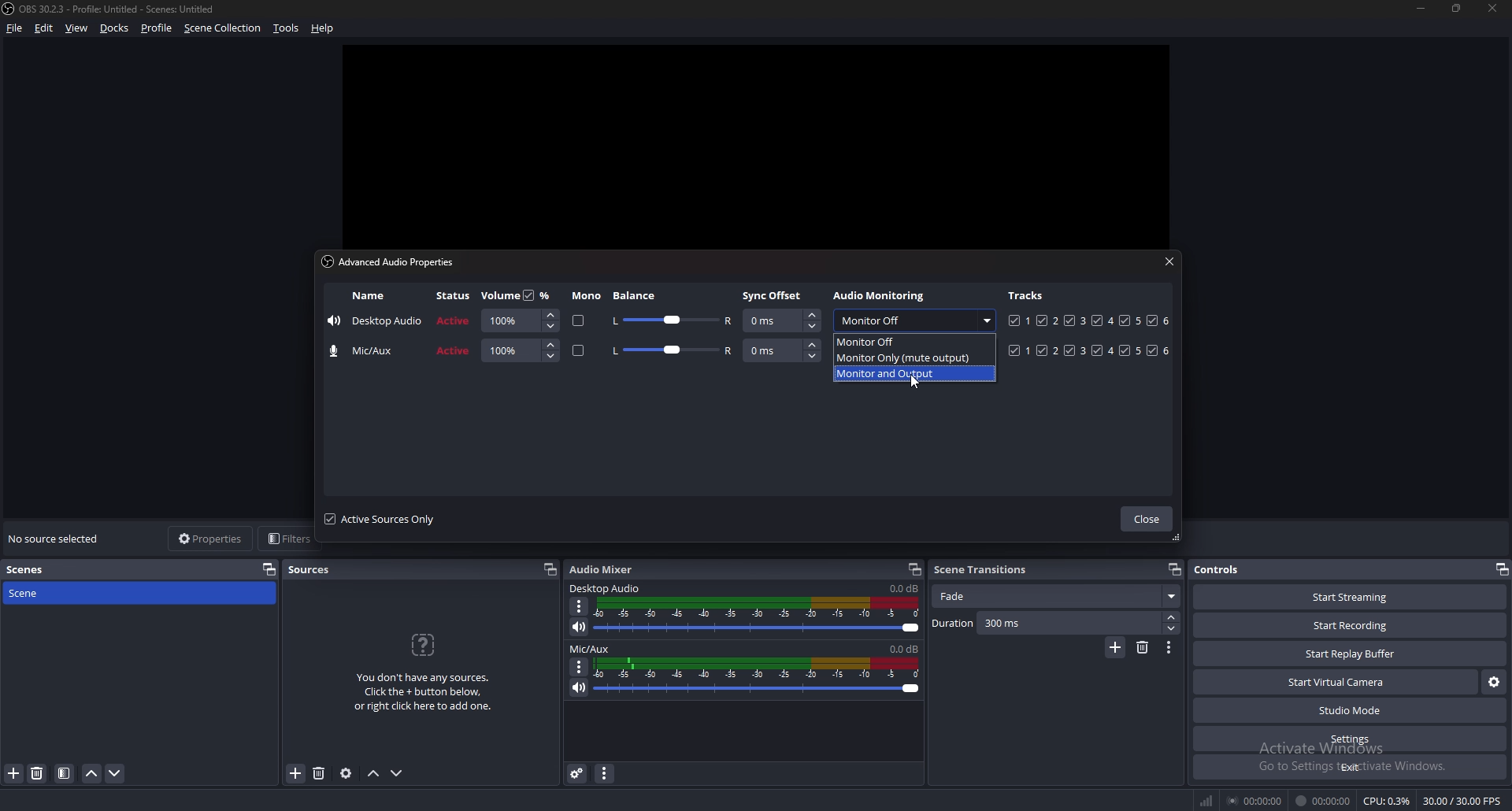  I want to click on sync offset, so click(773, 295).